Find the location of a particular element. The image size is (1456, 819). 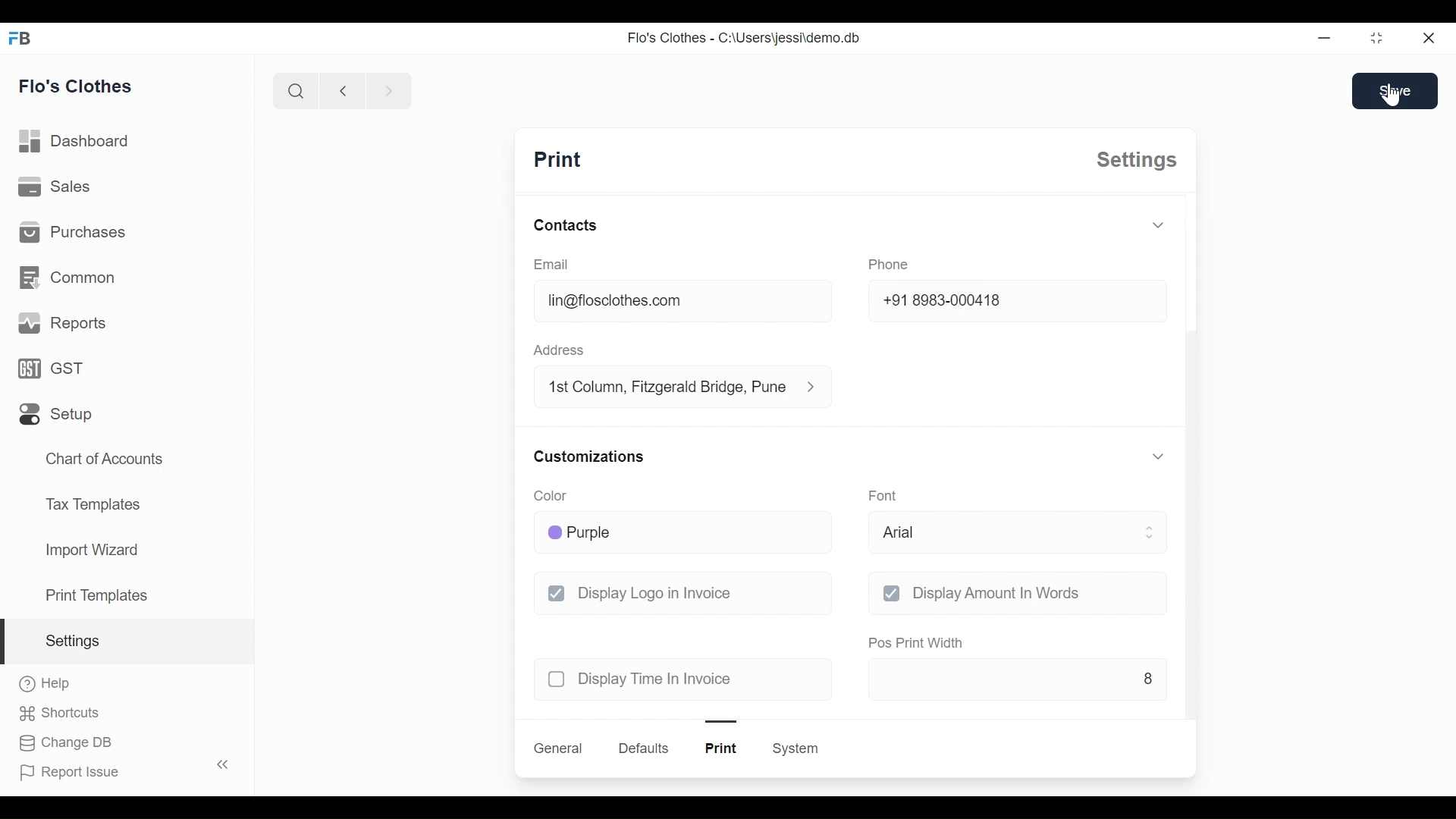

close is located at coordinates (1428, 37).